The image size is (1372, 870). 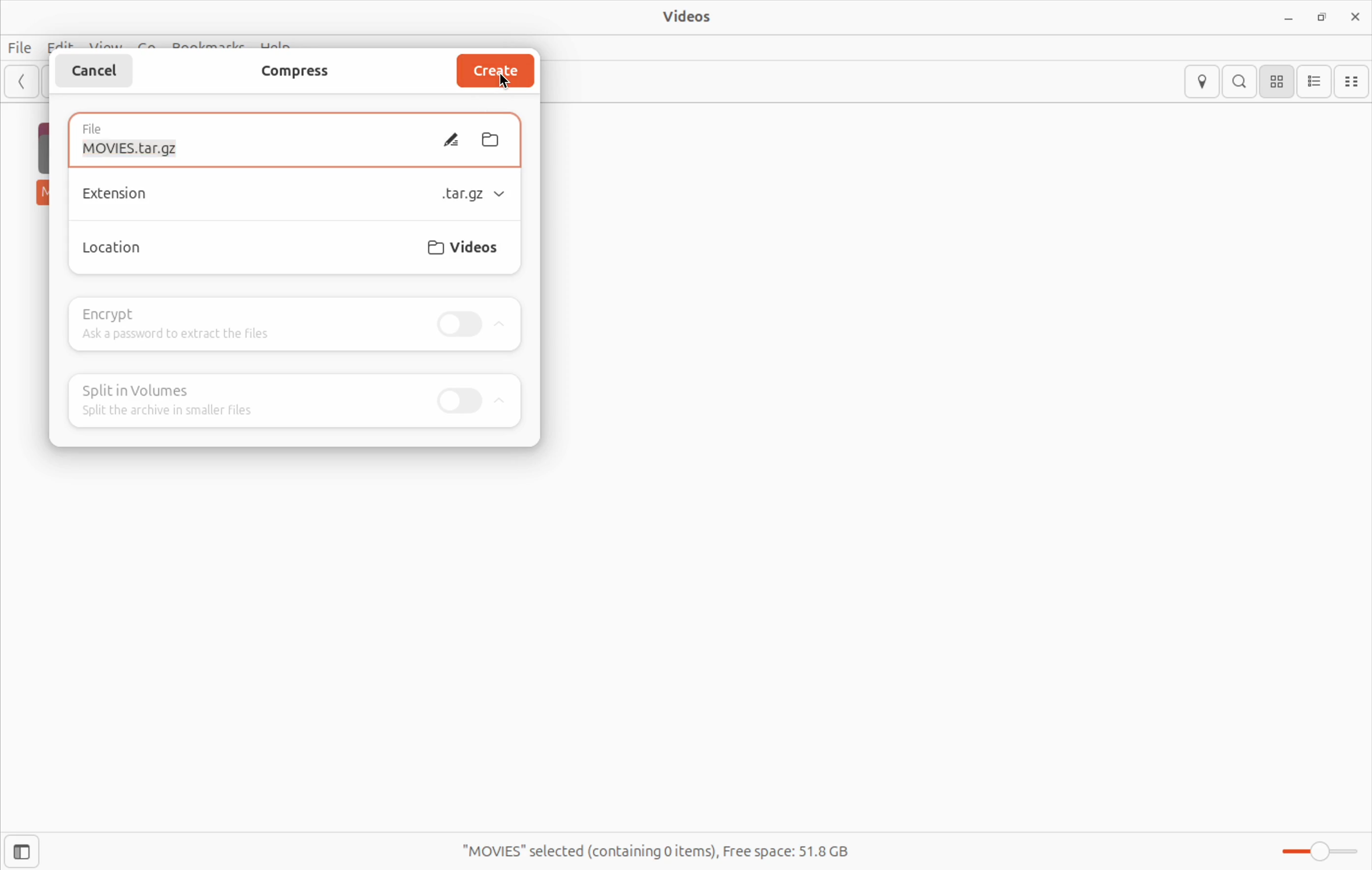 What do you see at coordinates (470, 326) in the screenshot?
I see `toggle` at bounding box center [470, 326].